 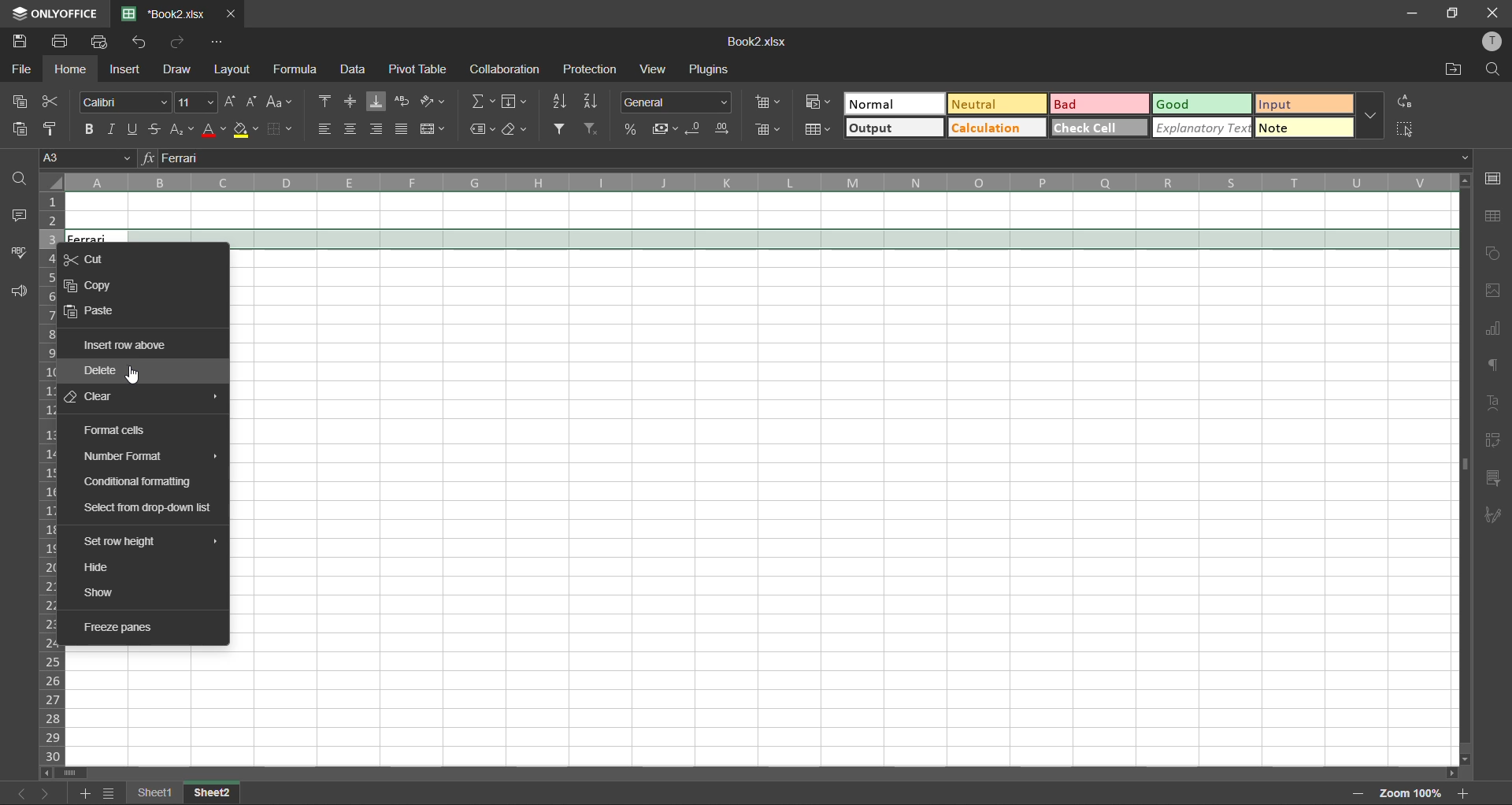 What do you see at coordinates (325, 130) in the screenshot?
I see `align left` at bounding box center [325, 130].